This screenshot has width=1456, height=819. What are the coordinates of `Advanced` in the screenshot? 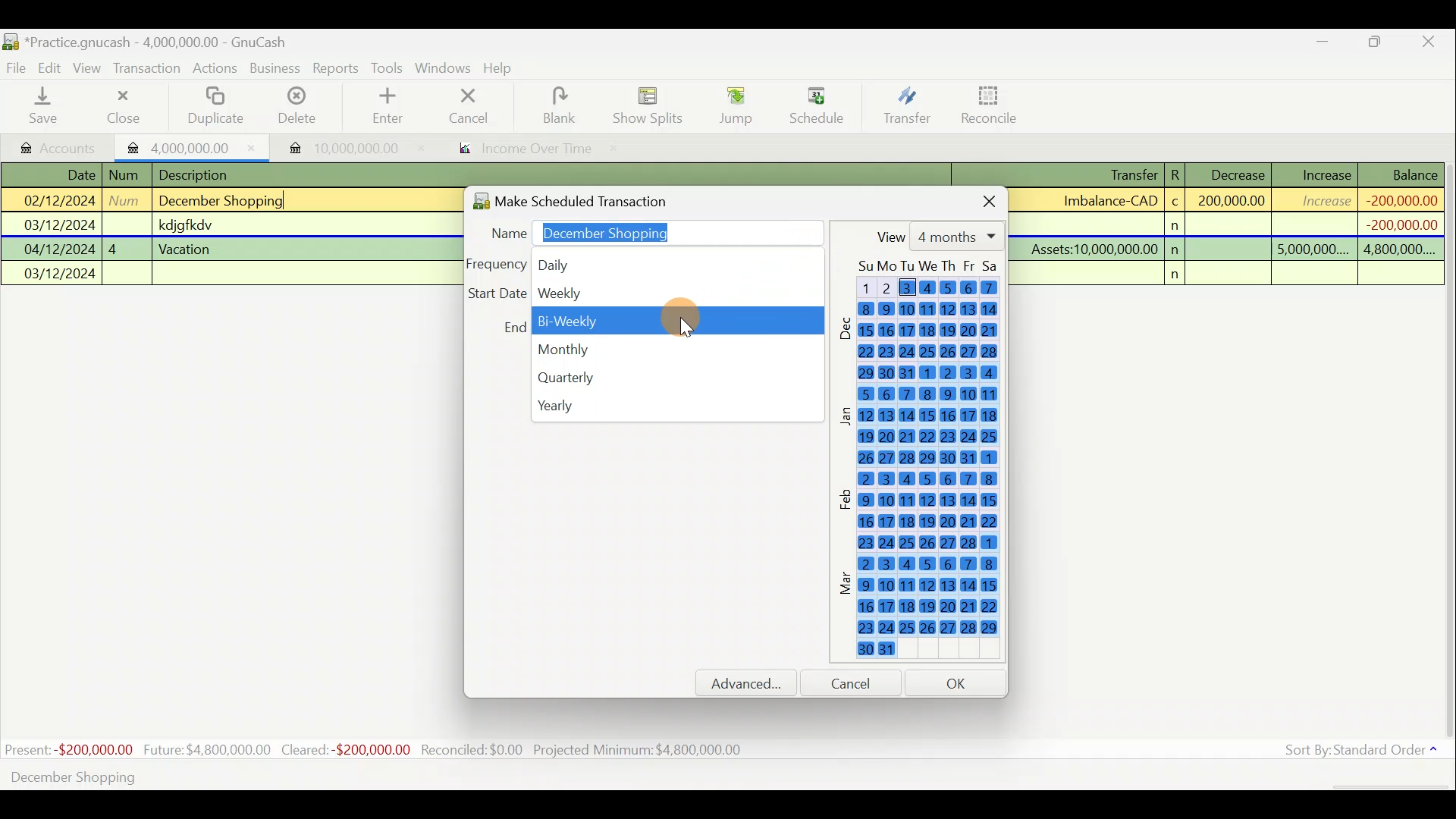 It's located at (753, 683).